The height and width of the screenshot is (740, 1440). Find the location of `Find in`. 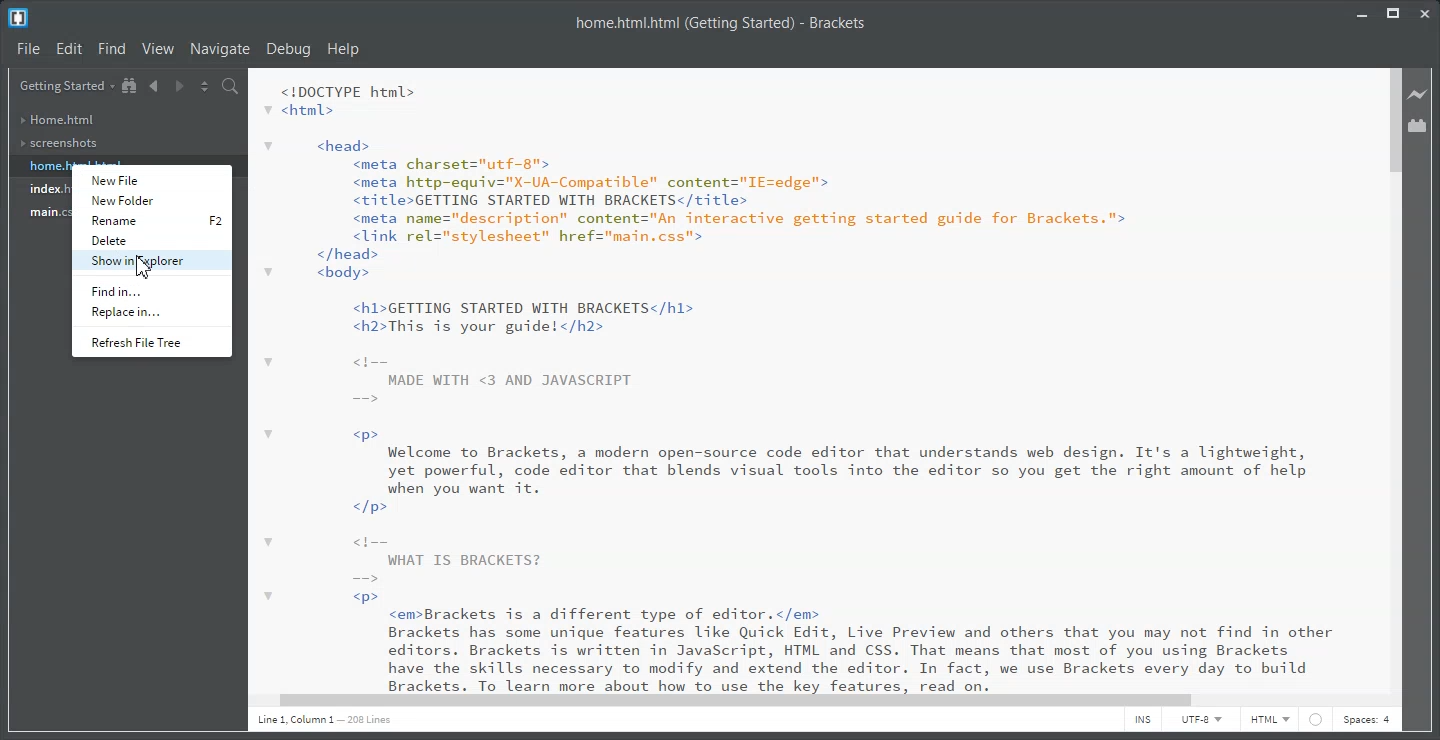

Find in is located at coordinates (152, 288).